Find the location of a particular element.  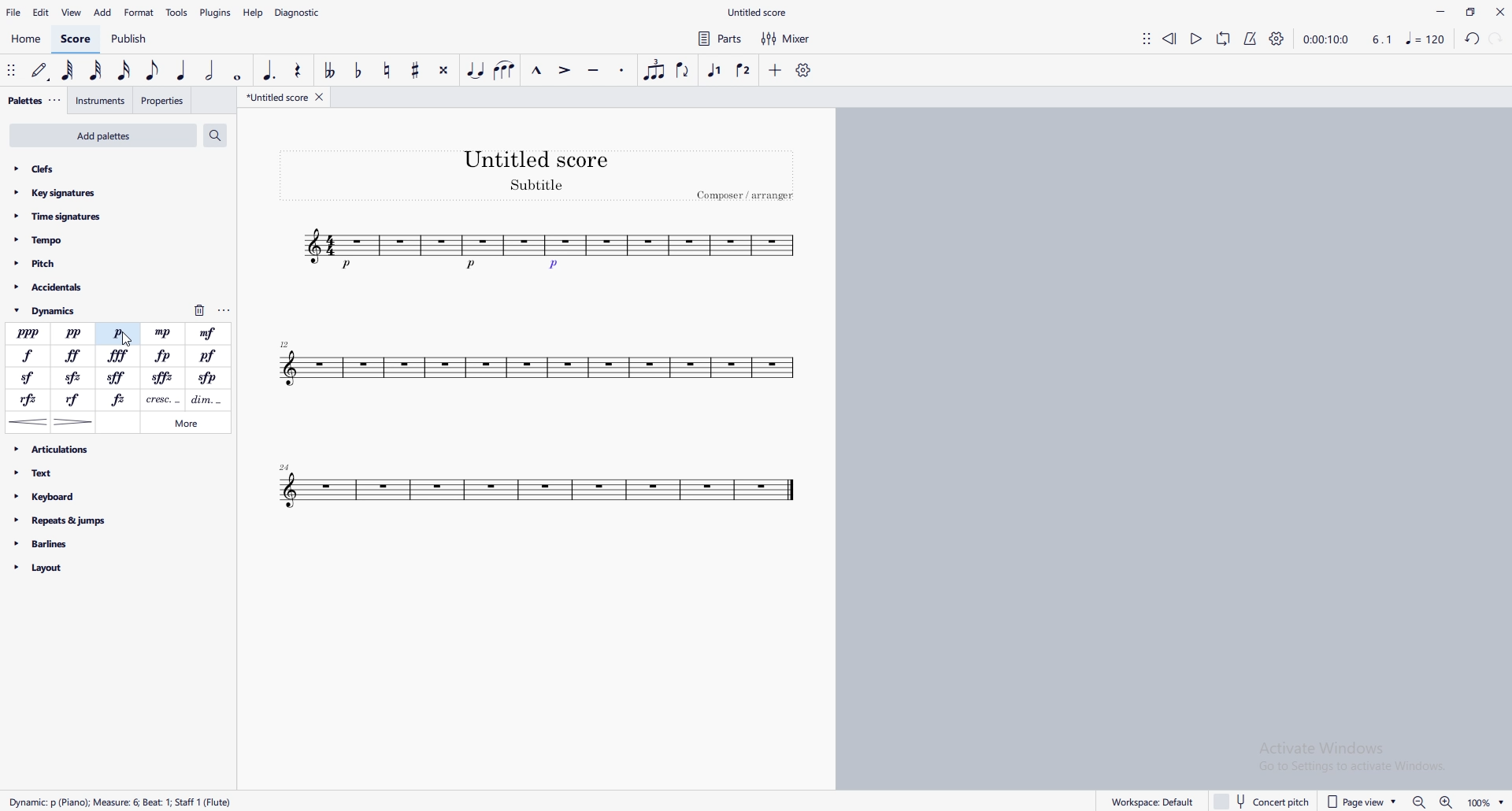

time signatures is located at coordinates (102, 217).